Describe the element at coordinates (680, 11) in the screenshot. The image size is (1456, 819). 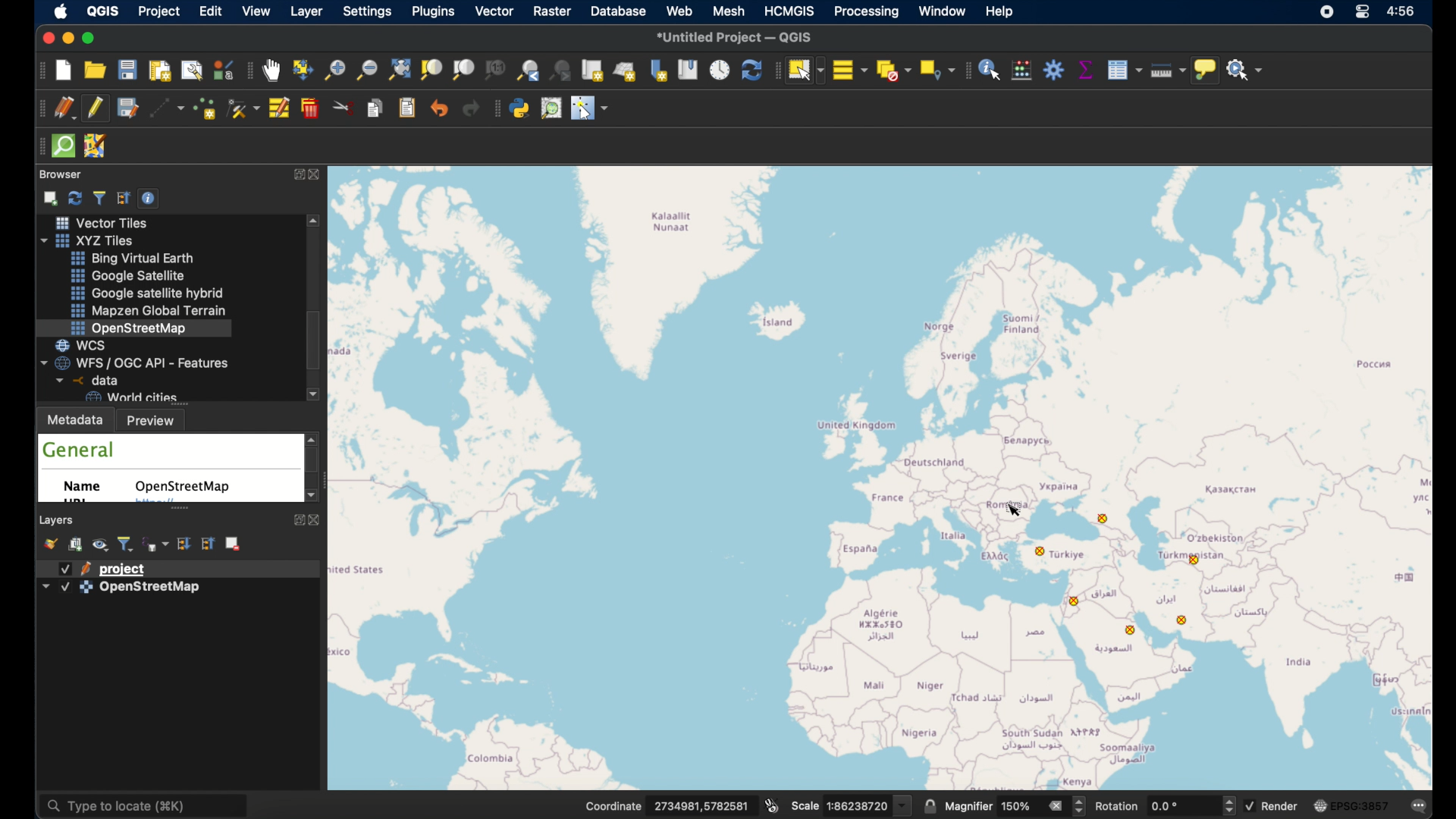
I see `web` at that location.